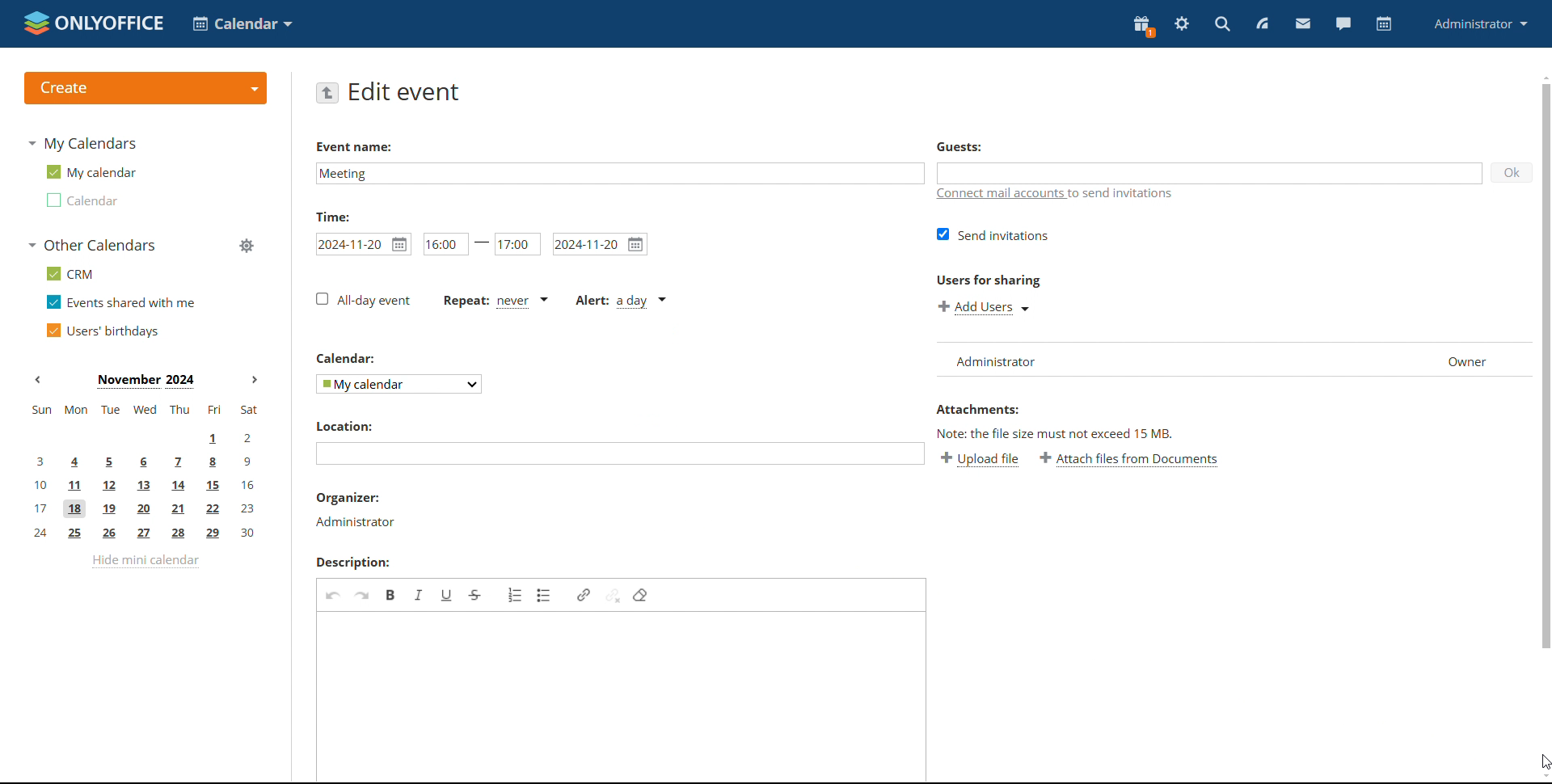  What do you see at coordinates (1232, 360) in the screenshot?
I see `list of users` at bounding box center [1232, 360].